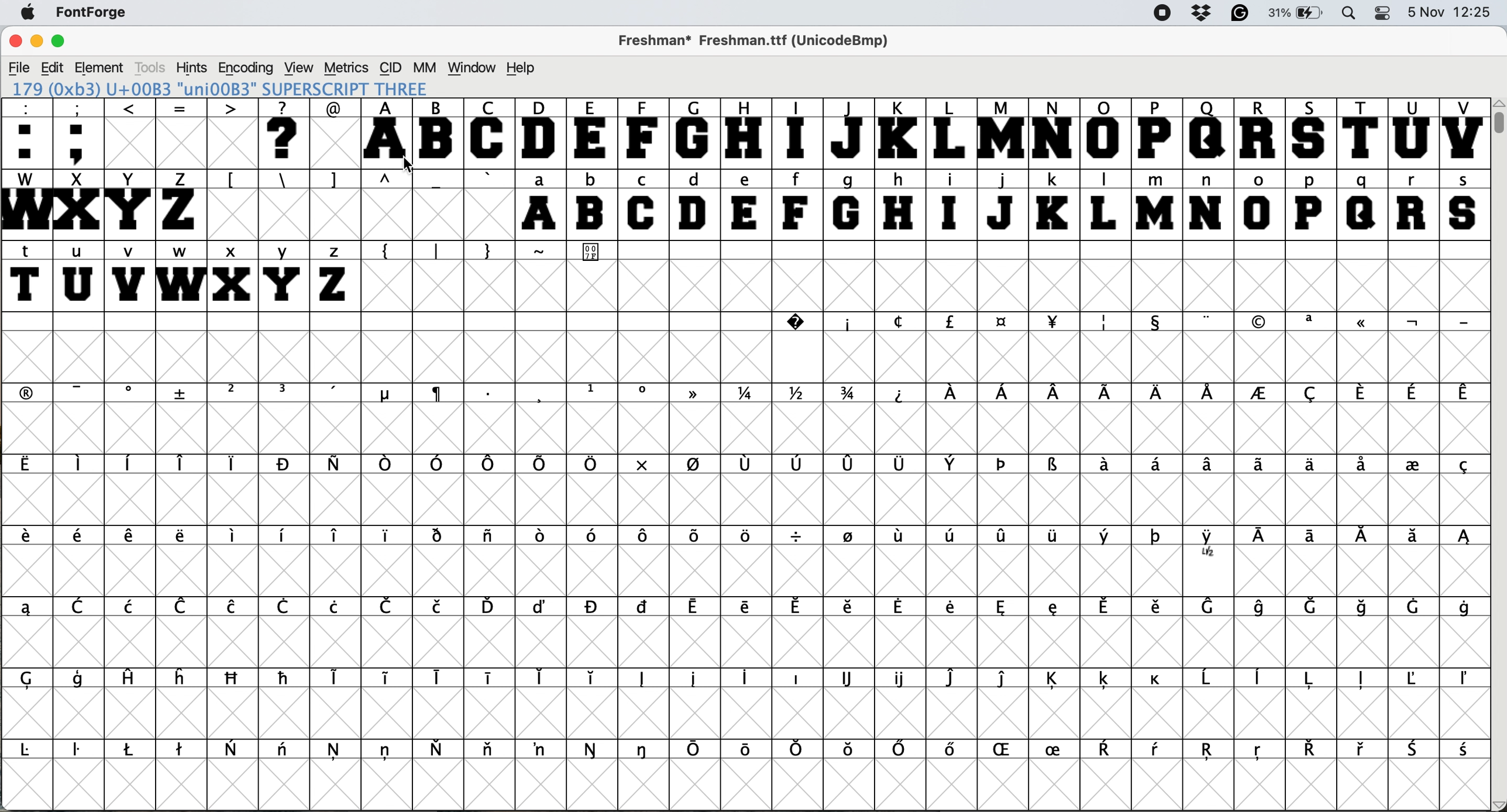 This screenshot has width=1507, height=812. Describe the element at coordinates (234, 394) in the screenshot. I see `` at that location.